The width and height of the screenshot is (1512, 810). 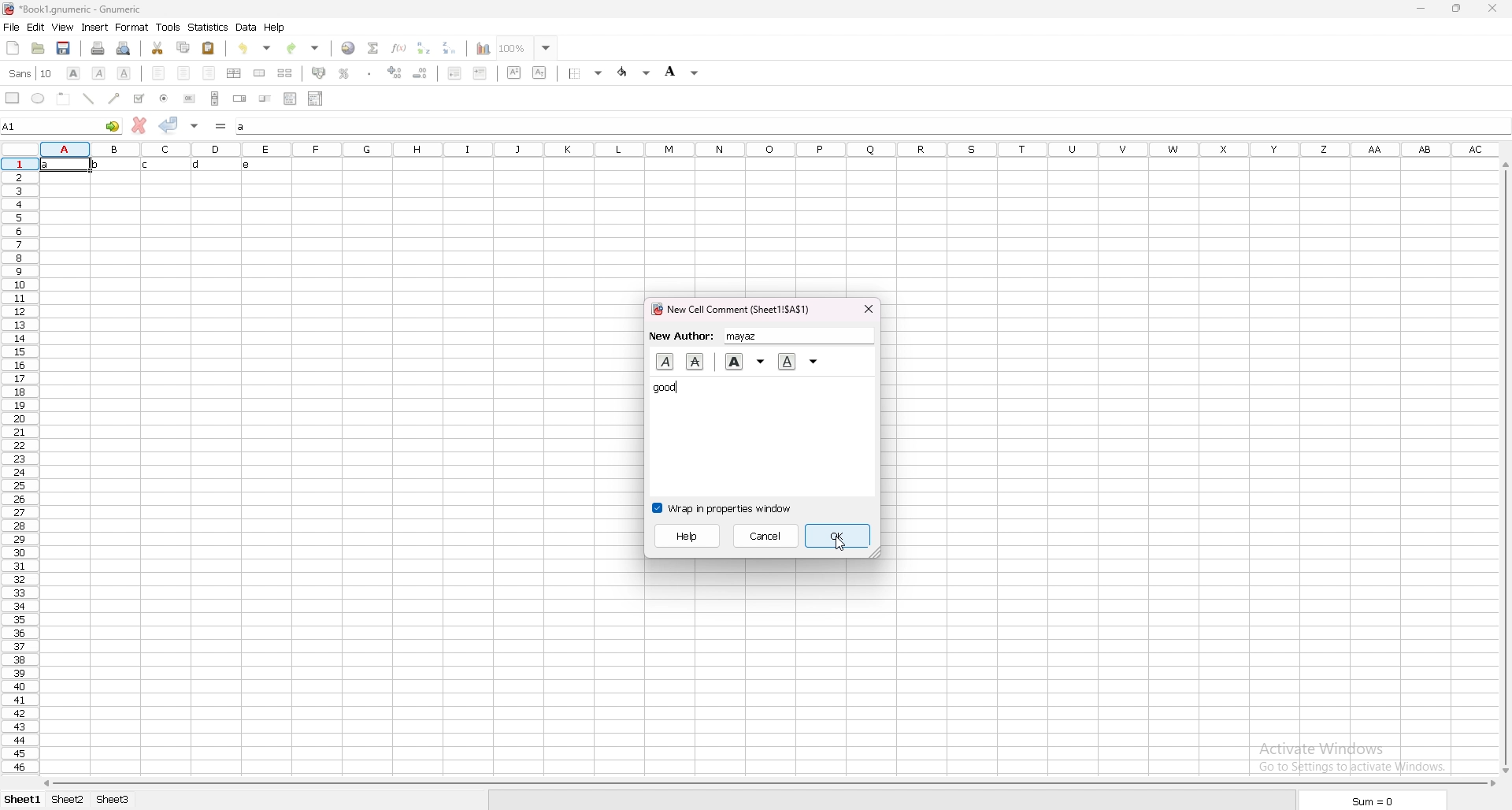 What do you see at coordinates (291, 98) in the screenshot?
I see `list` at bounding box center [291, 98].